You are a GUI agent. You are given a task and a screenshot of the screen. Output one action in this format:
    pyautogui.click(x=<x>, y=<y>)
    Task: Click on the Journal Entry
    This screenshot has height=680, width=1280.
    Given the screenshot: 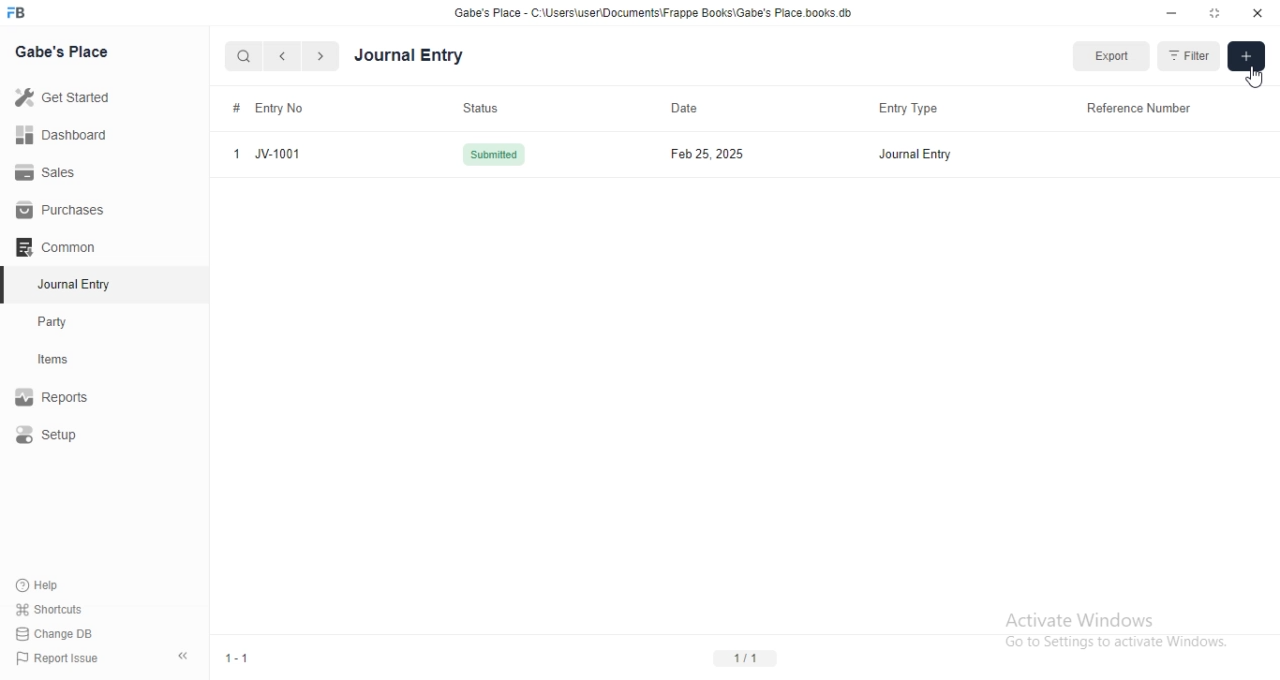 What is the action you would take?
    pyautogui.click(x=71, y=284)
    